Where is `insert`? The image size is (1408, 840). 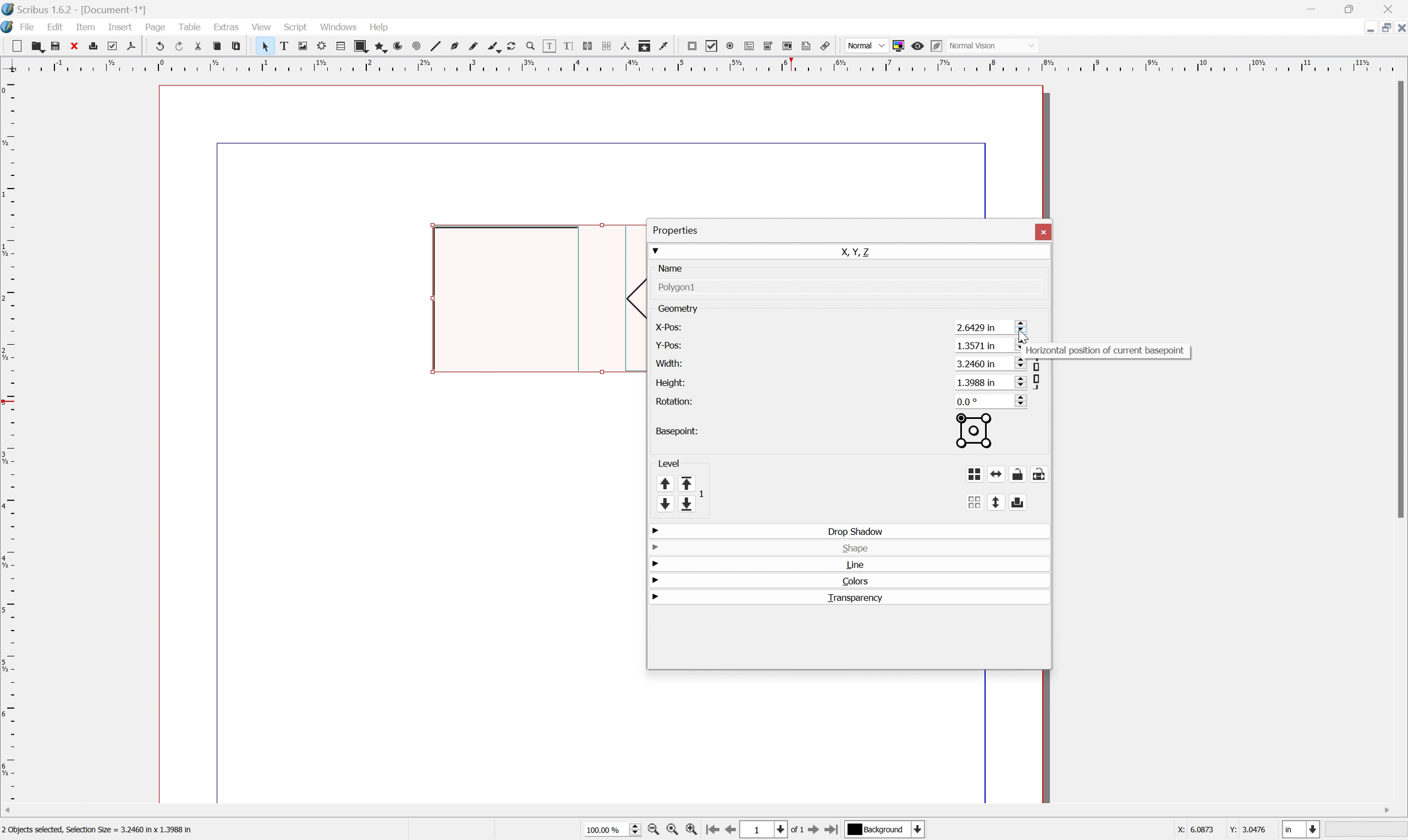
insert is located at coordinates (121, 25).